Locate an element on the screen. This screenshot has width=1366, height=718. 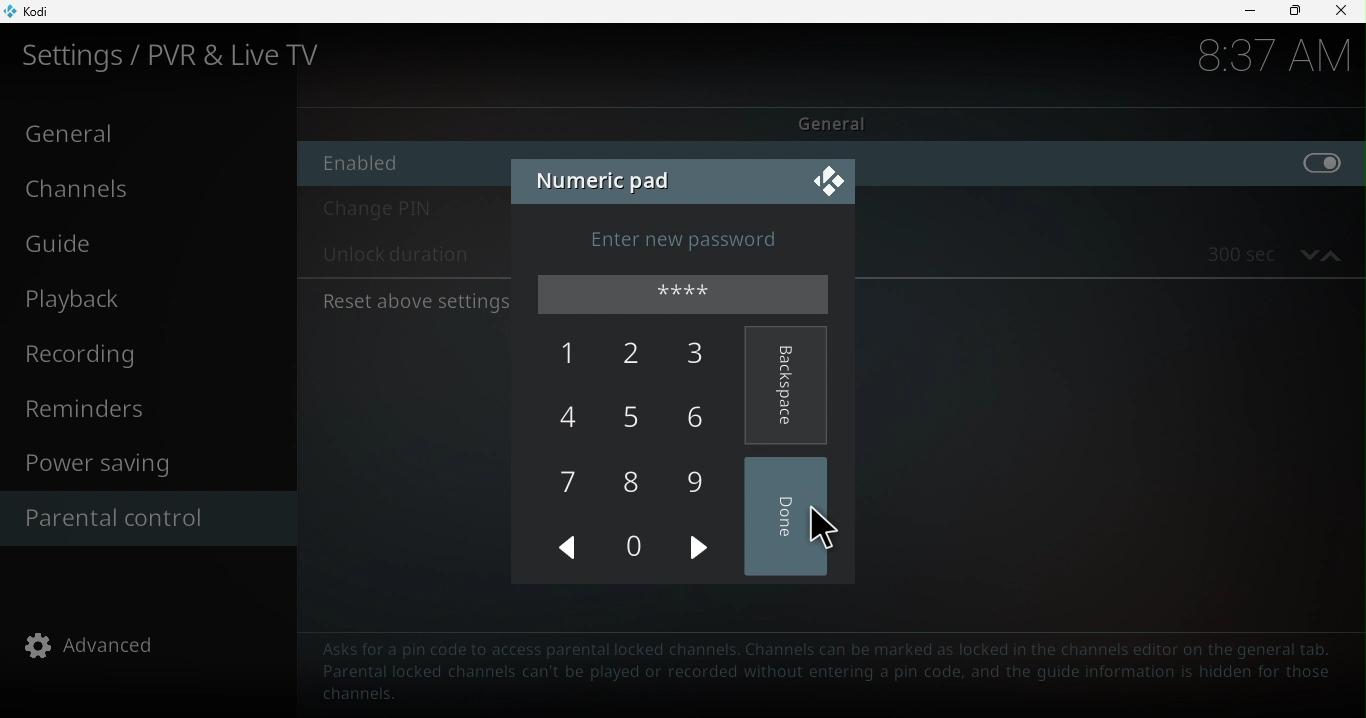
next is located at coordinates (701, 545).